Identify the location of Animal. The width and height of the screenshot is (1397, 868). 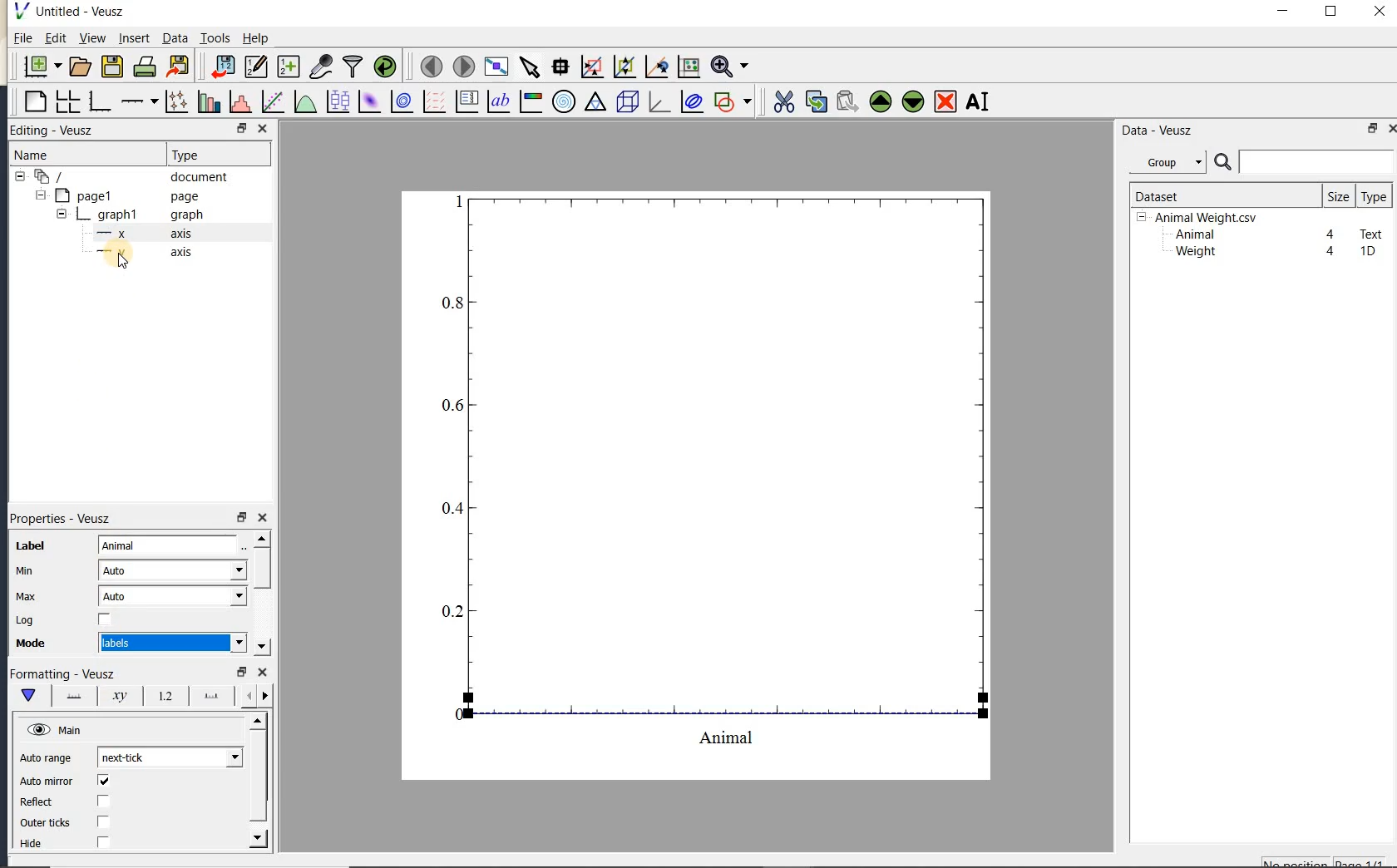
(170, 546).